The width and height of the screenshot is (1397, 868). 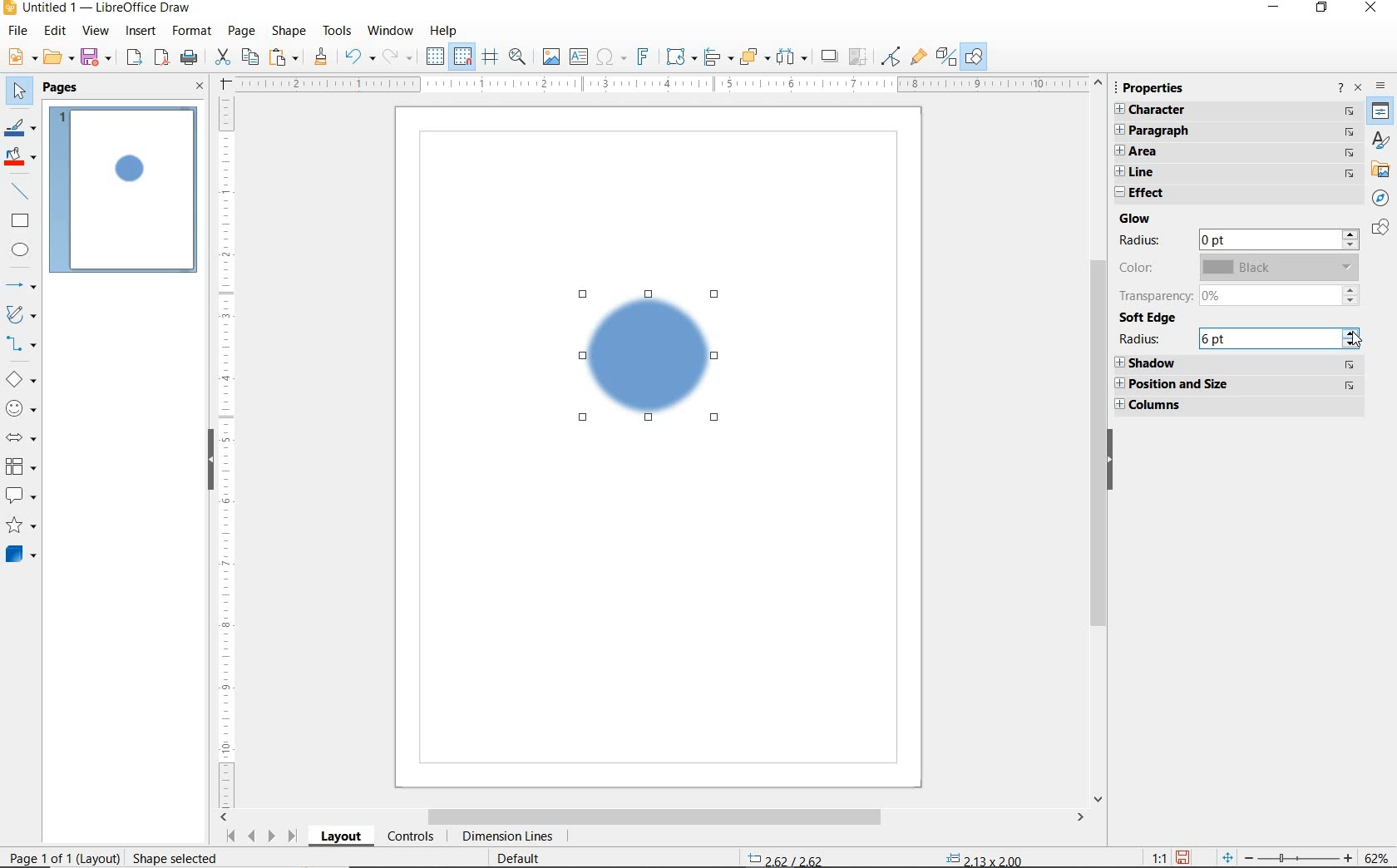 I want to click on CURVES AND POLYGONS, so click(x=23, y=314).